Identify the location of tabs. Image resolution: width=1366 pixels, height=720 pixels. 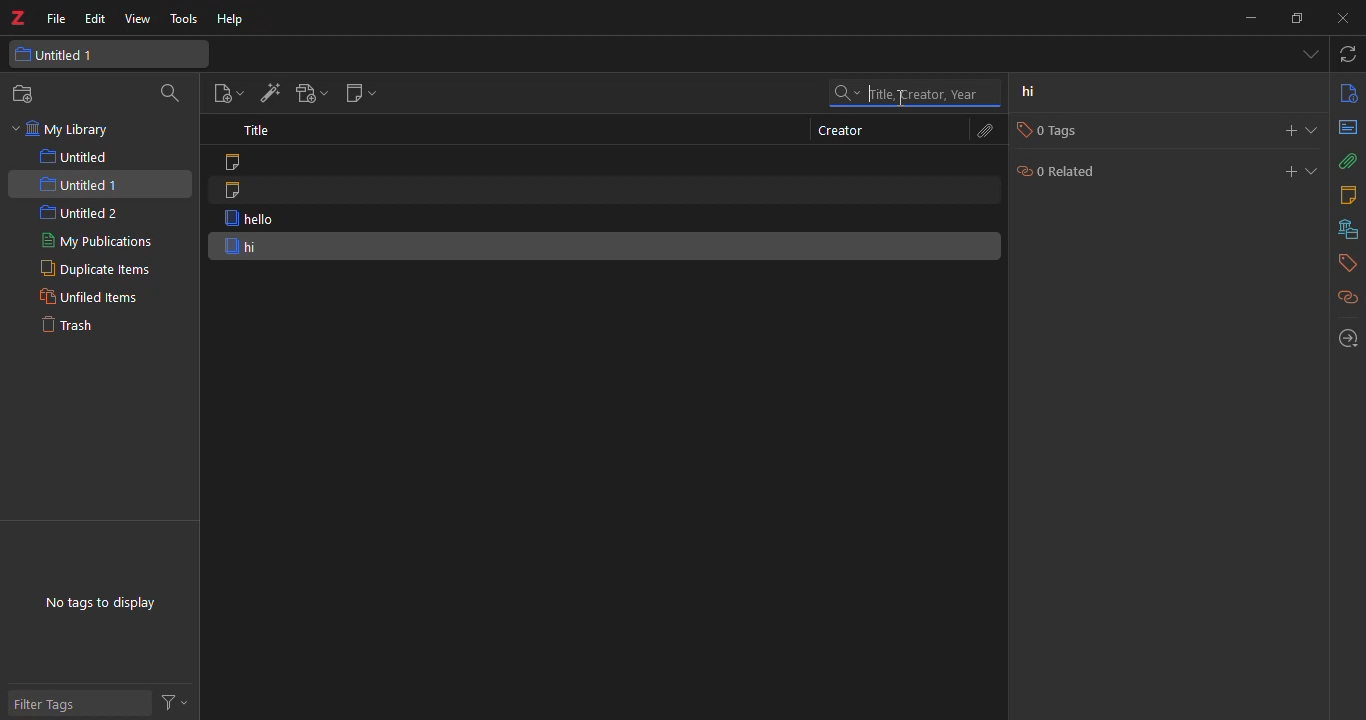
(1309, 55).